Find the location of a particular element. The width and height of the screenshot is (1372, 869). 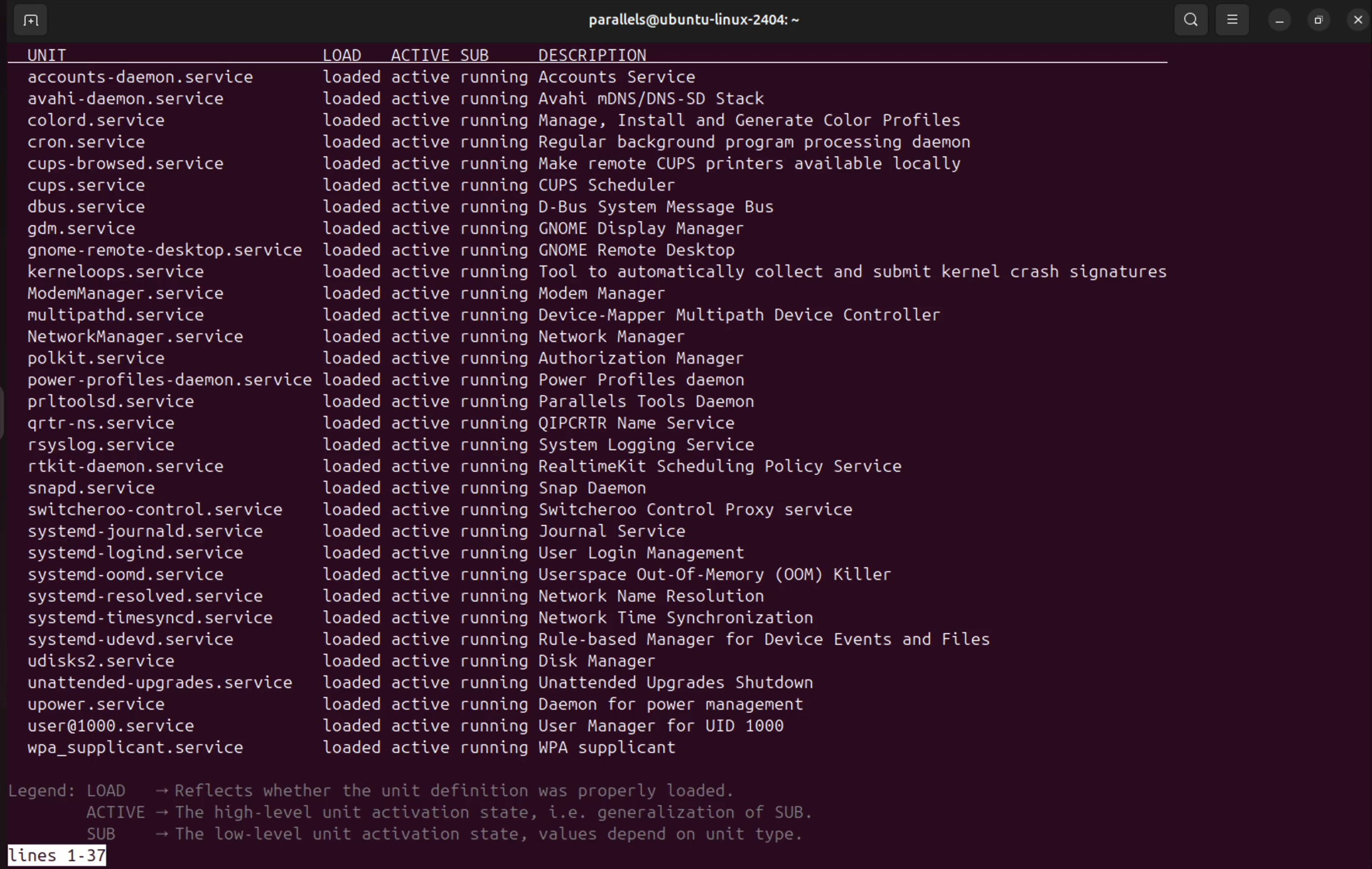

modem manager service is located at coordinates (140, 297).